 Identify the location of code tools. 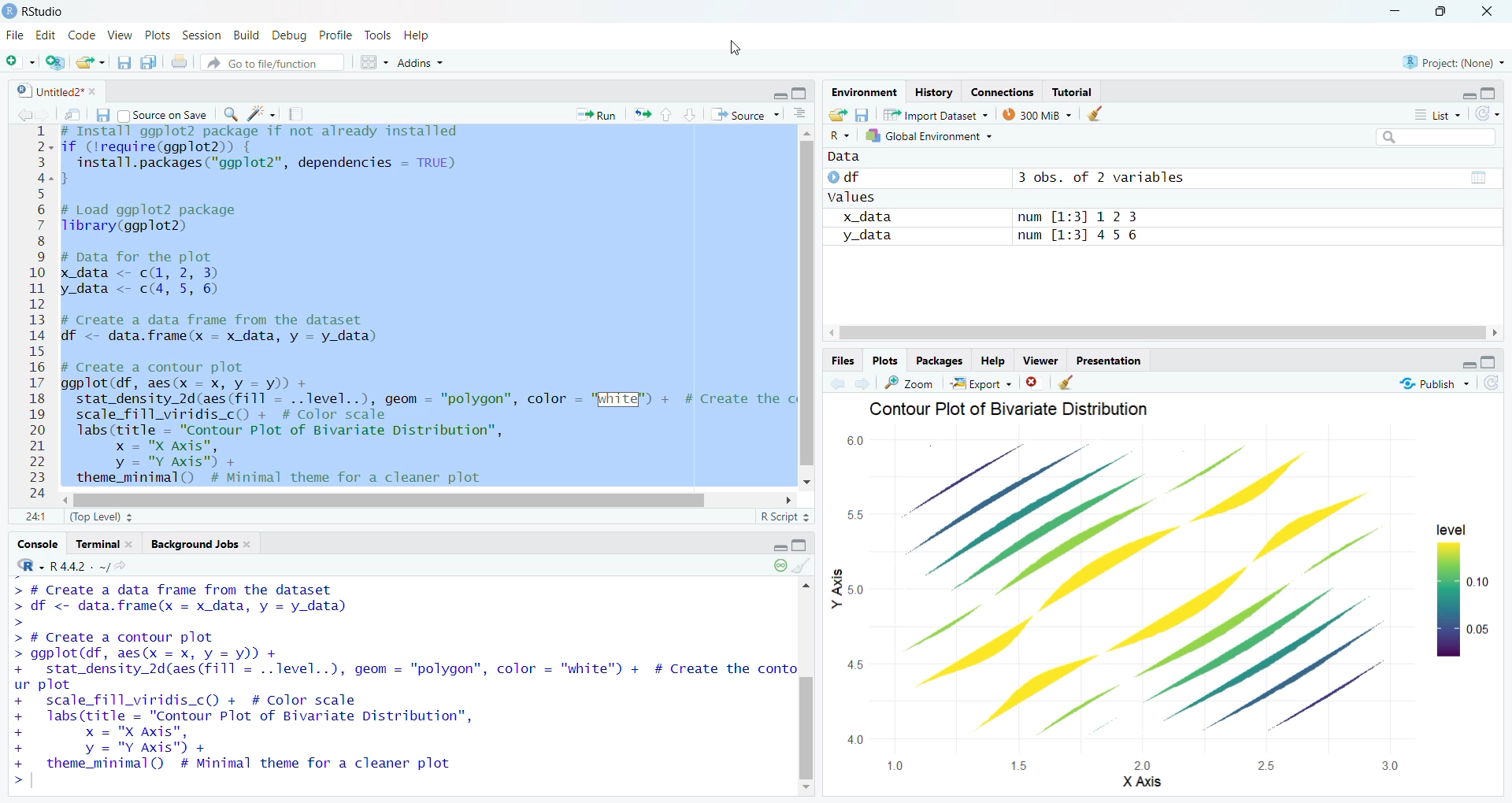
(262, 115).